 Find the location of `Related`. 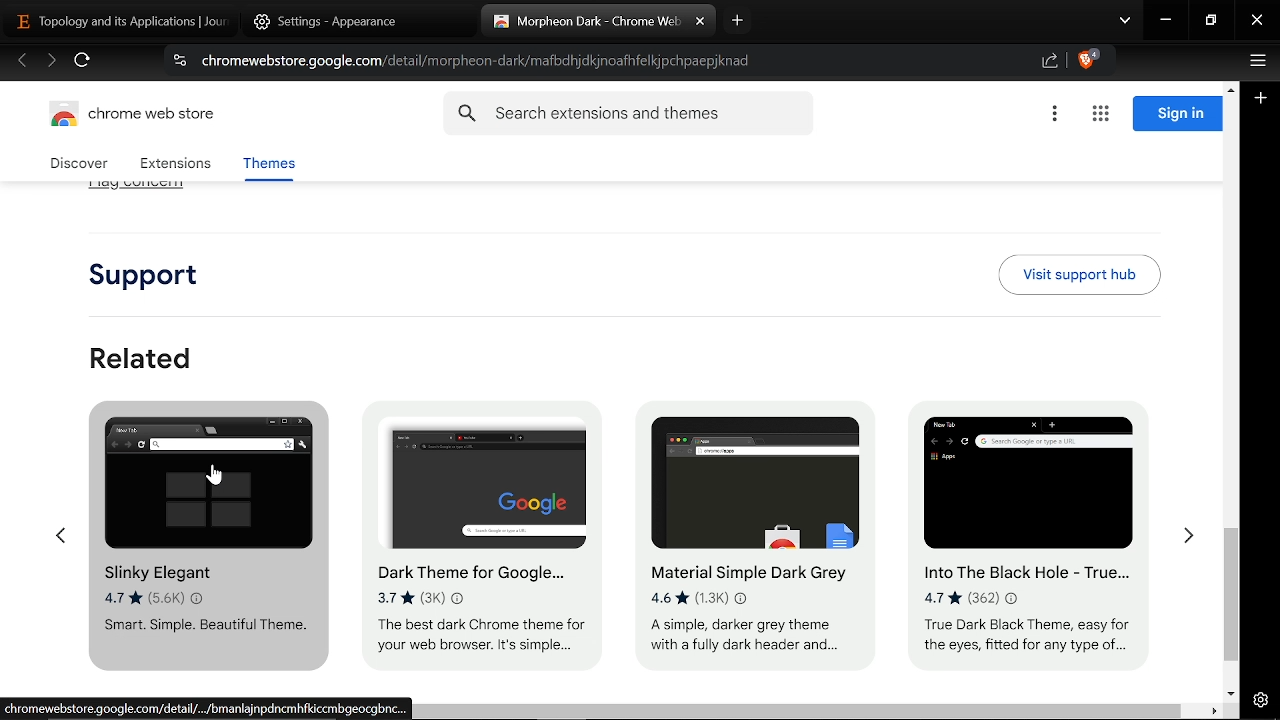

Related is located at coordinates (142, 348).